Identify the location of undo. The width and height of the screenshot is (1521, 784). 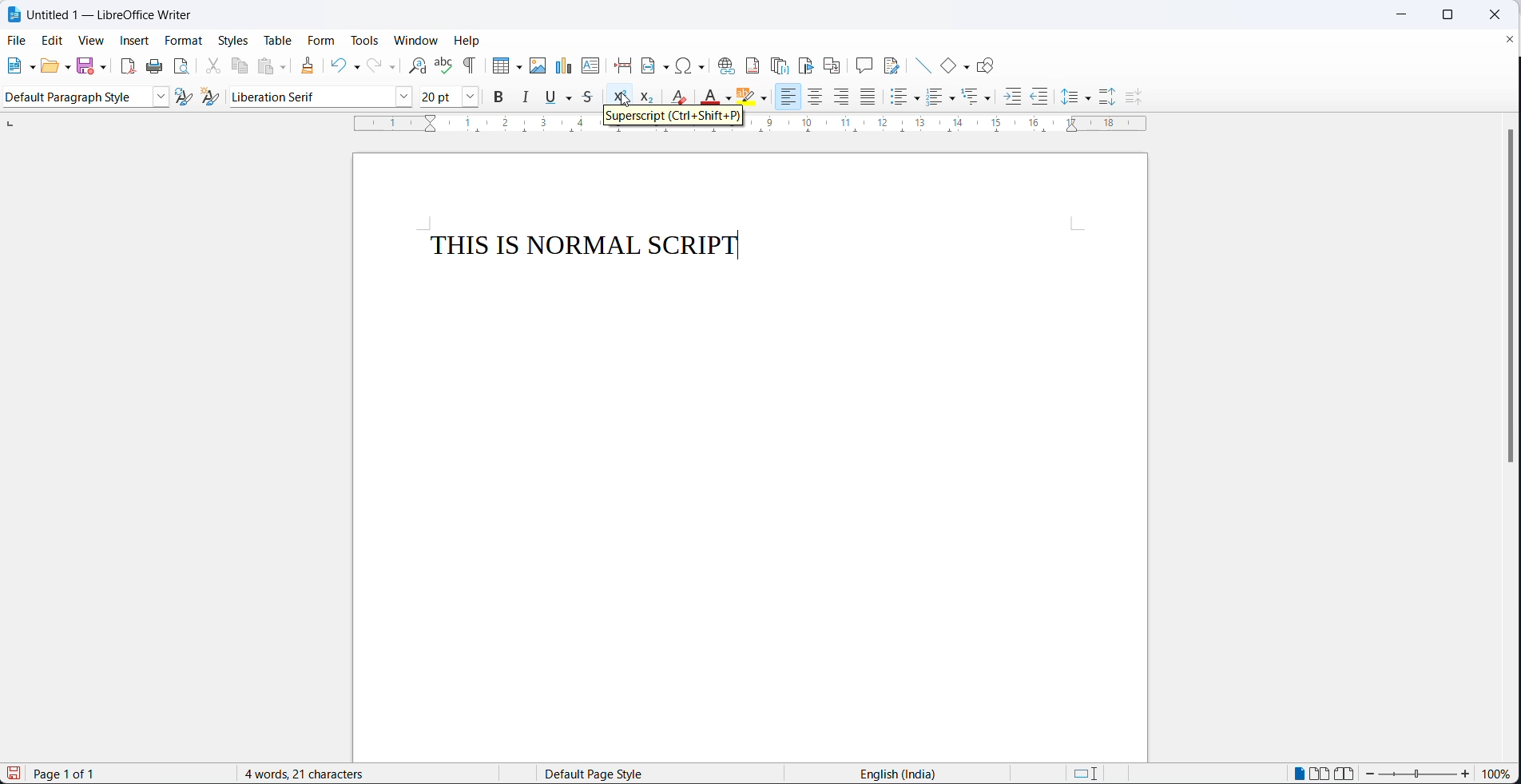
(337, 65).